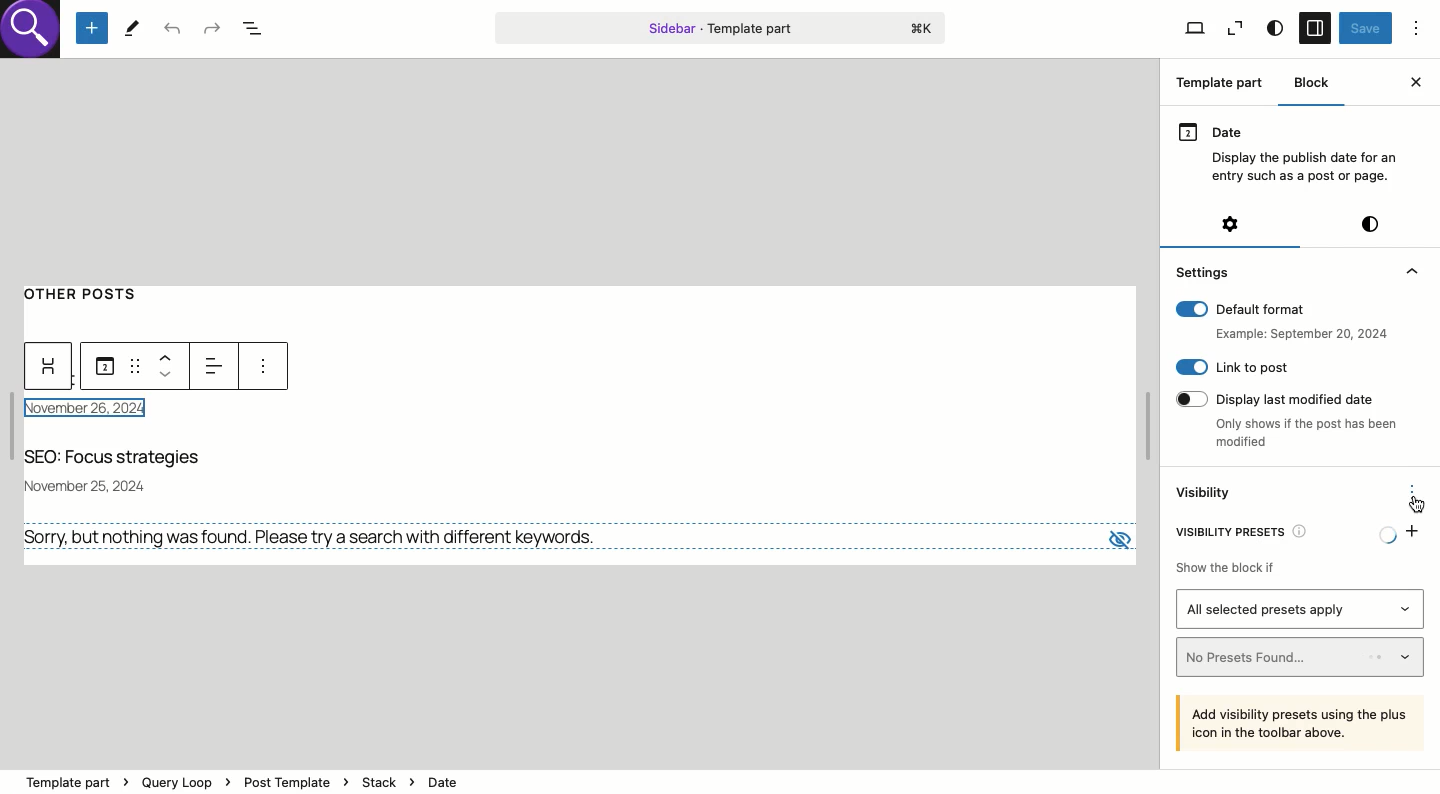 The width and height of the screenshot is (1440, 794). What do you see at coordinates (1281, 309) in the screenshot?
I see `Default format` at bounding box center [1281, 309].